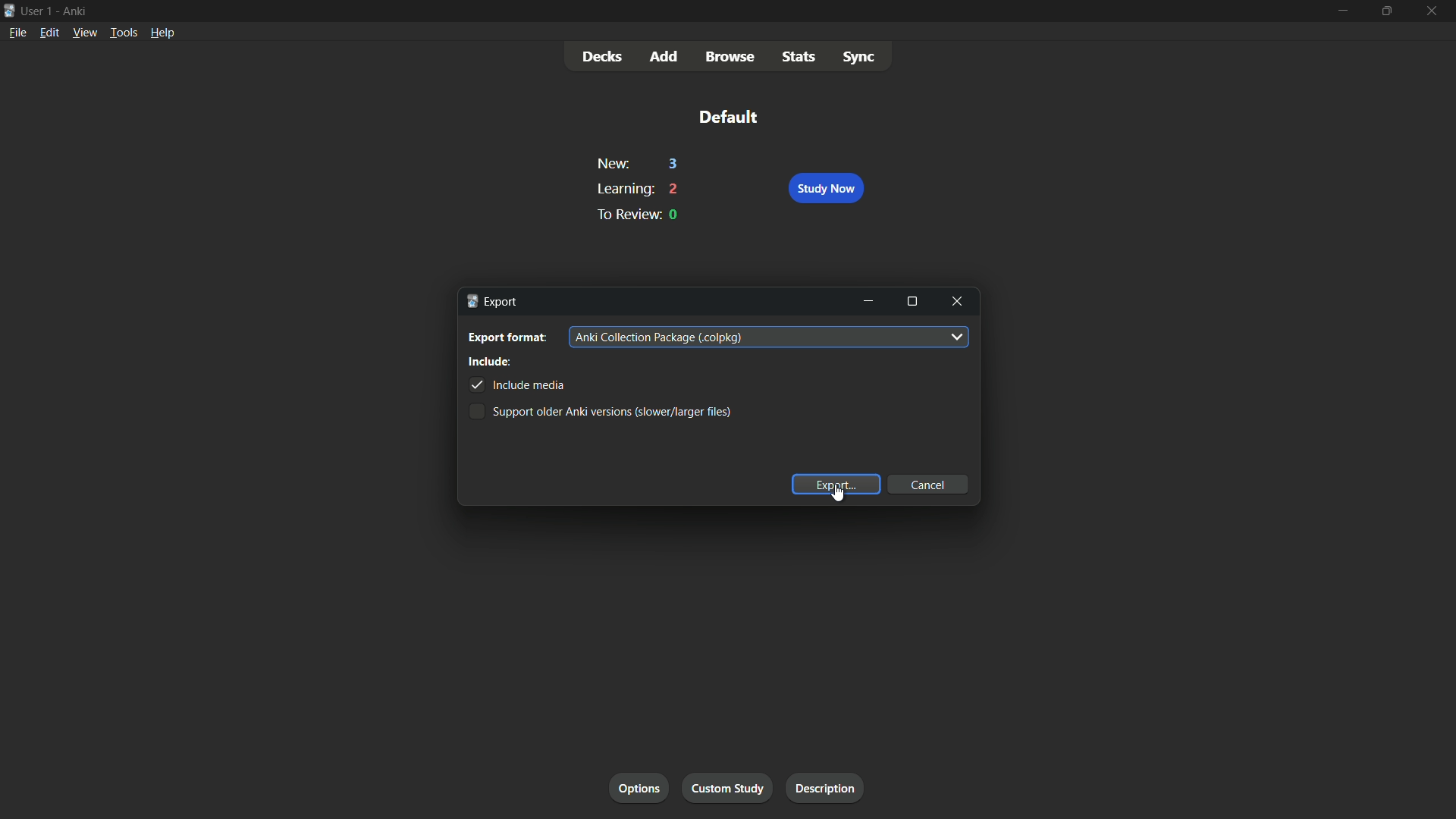  What do you see at coordinates (491, 362) in the screenshot?
I see `include` at bounding box center [491, 362].